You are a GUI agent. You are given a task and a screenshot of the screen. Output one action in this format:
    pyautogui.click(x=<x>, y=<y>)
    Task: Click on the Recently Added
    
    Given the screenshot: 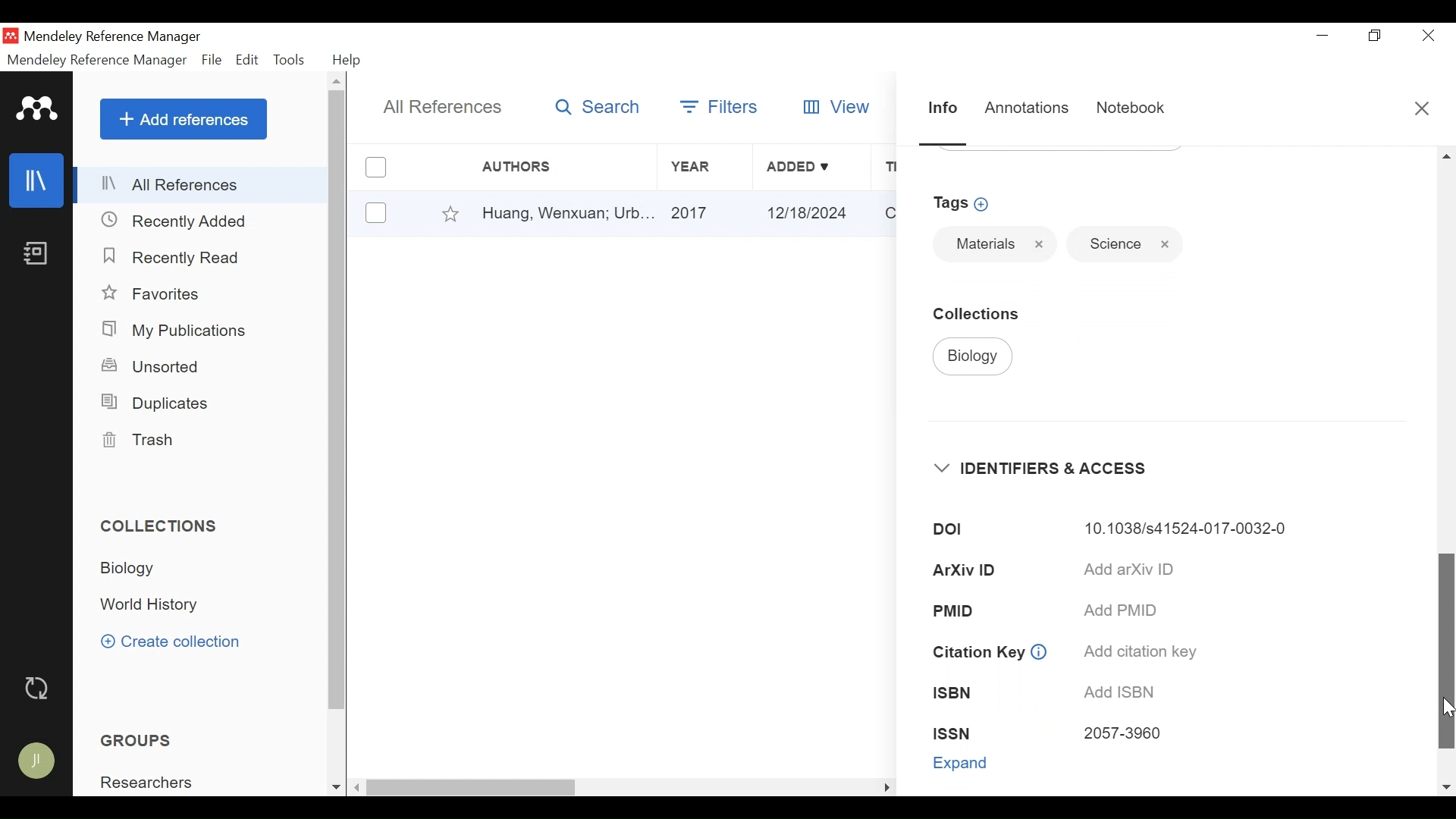 What is the action you would take?
    pyautogui.click(x=178, y=221)
    